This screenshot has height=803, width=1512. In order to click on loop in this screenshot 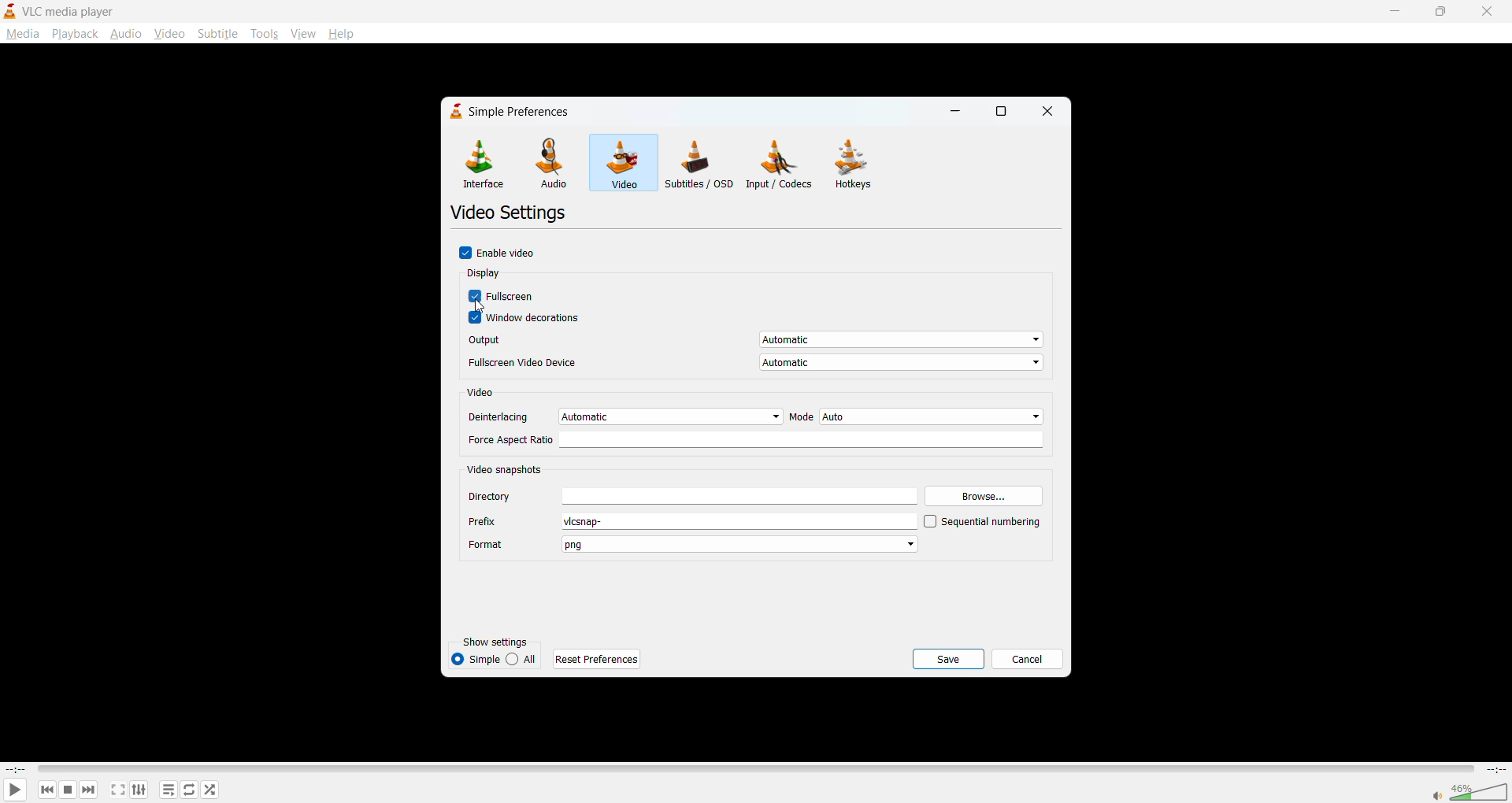, I will do `click(190, 790)`.